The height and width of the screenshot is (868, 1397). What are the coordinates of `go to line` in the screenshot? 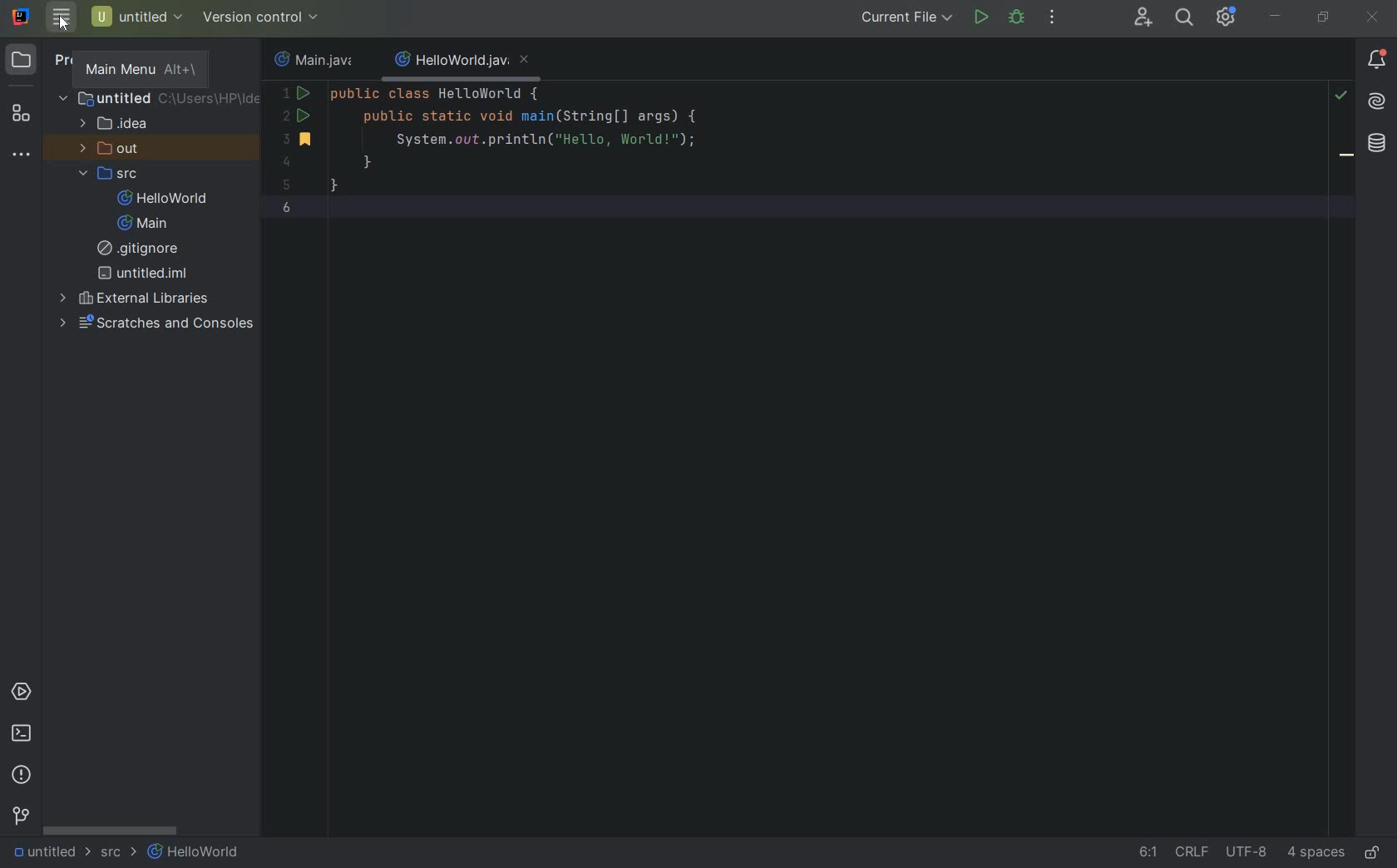 It's located at (1148, 852).